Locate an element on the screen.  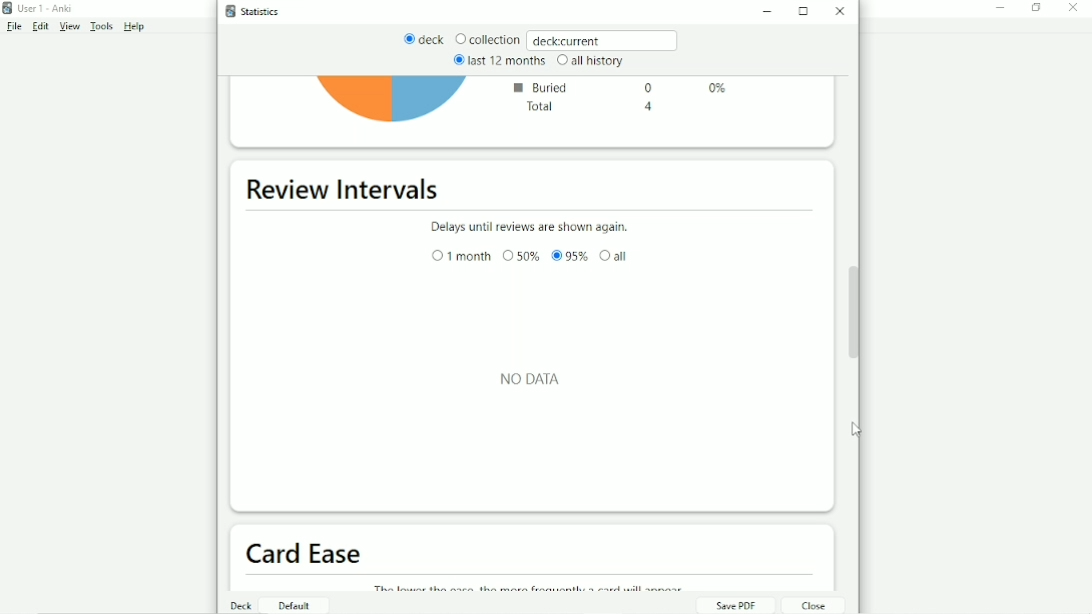
Close is located at coordinates (811, 605).